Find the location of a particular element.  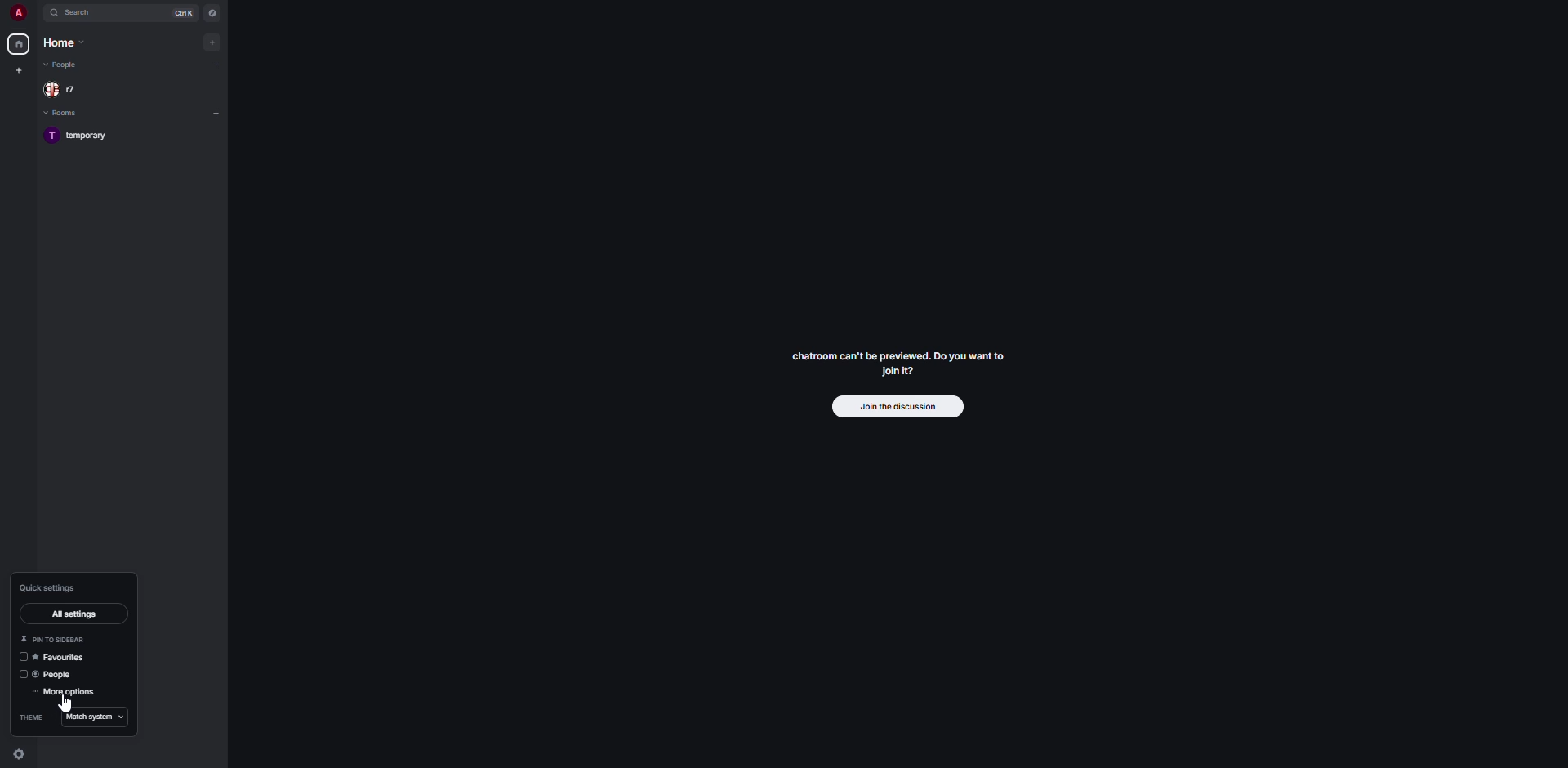

navigator is located at coordinates (213, 12).